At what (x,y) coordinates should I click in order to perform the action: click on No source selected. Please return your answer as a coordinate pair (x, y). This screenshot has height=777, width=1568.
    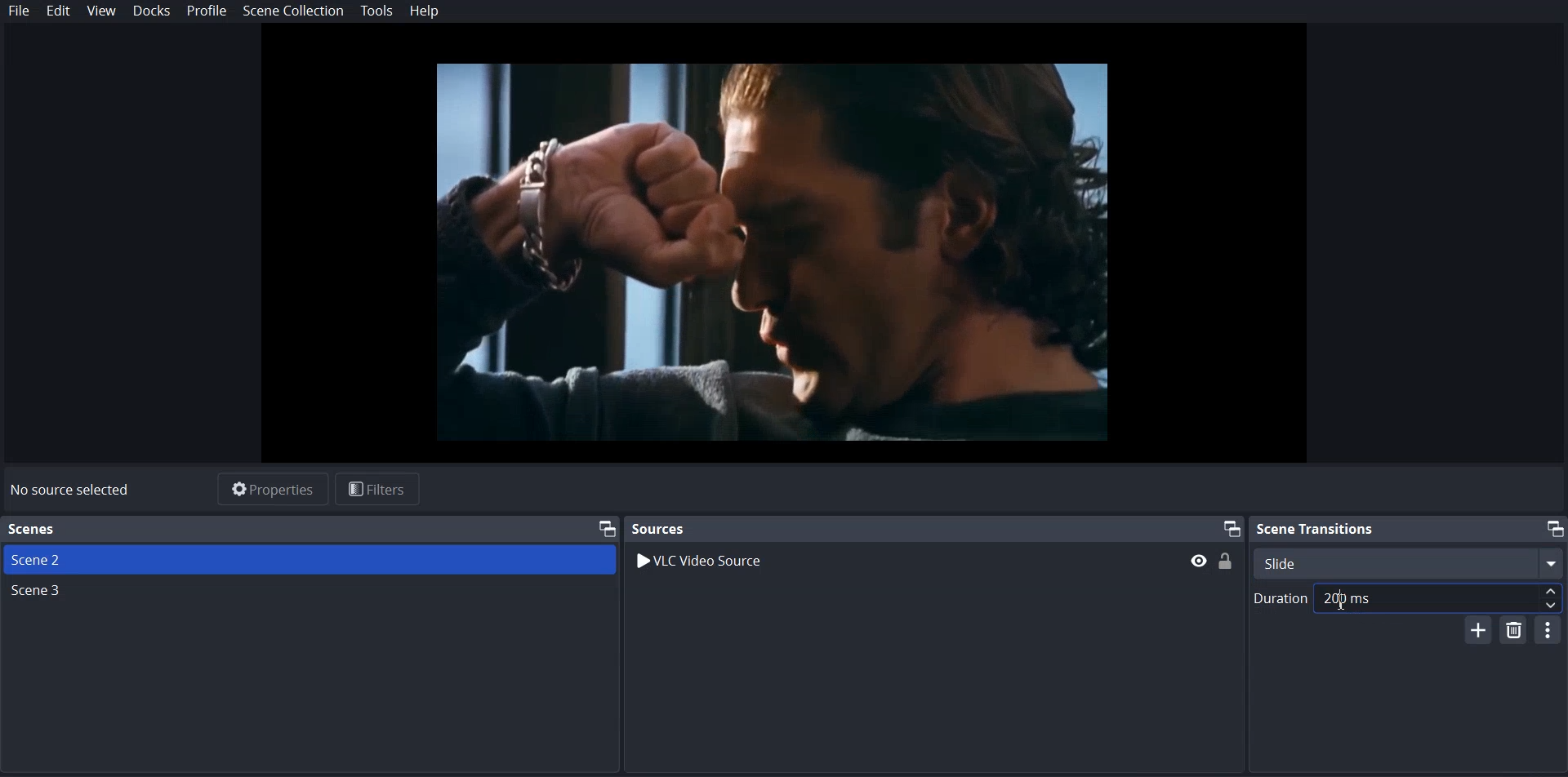
    Looking at the image, I should click on (71, 491).